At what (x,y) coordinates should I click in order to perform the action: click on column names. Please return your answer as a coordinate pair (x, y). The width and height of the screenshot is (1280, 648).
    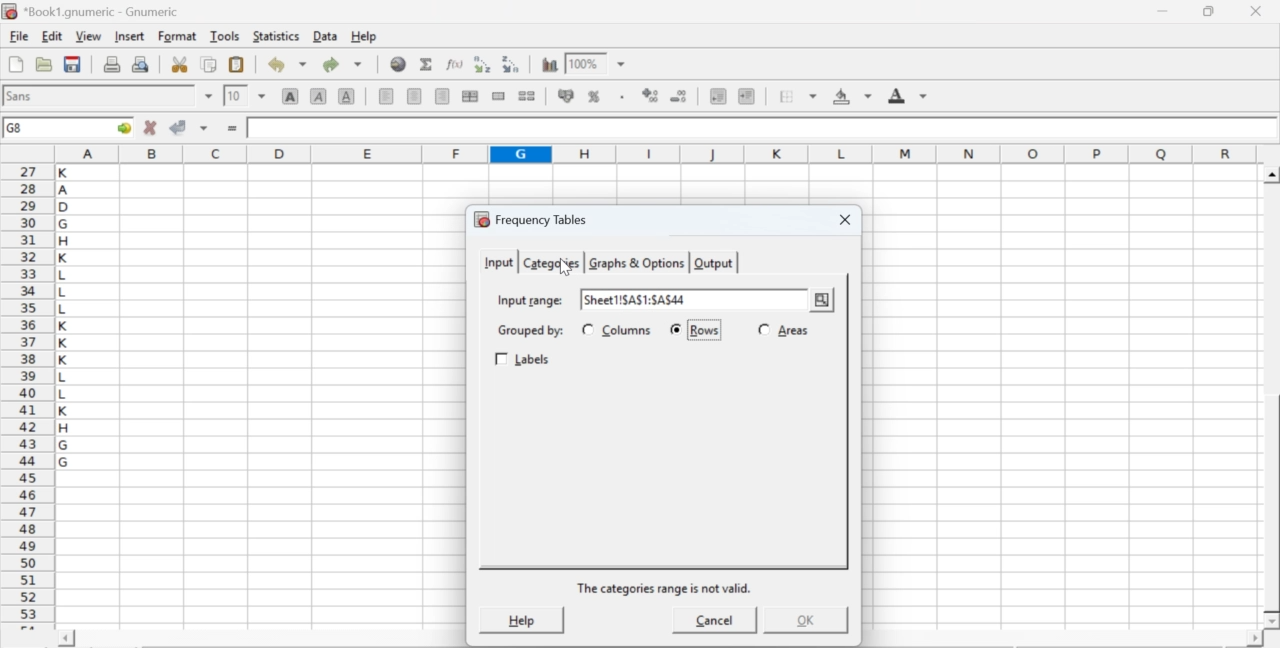
    Looking at the image, I should click on (653, 153).